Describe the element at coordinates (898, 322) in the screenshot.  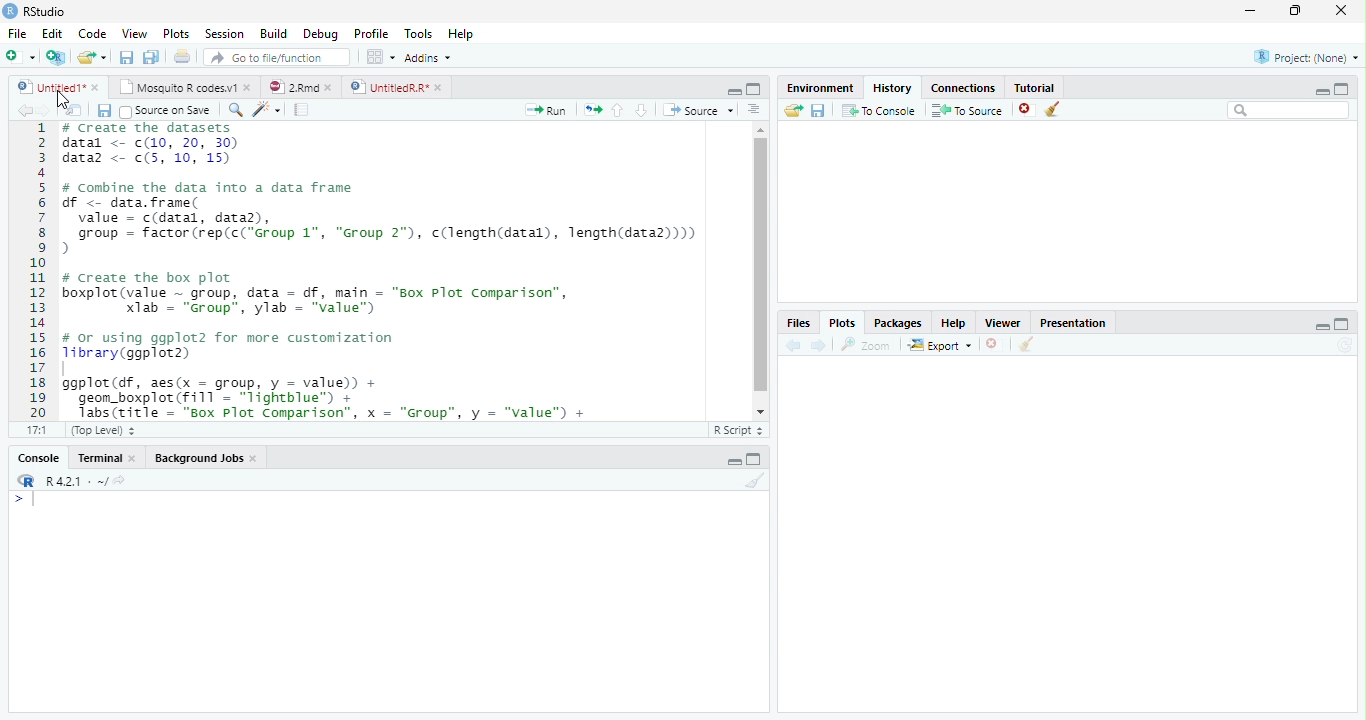
I see `Packages` at that location.